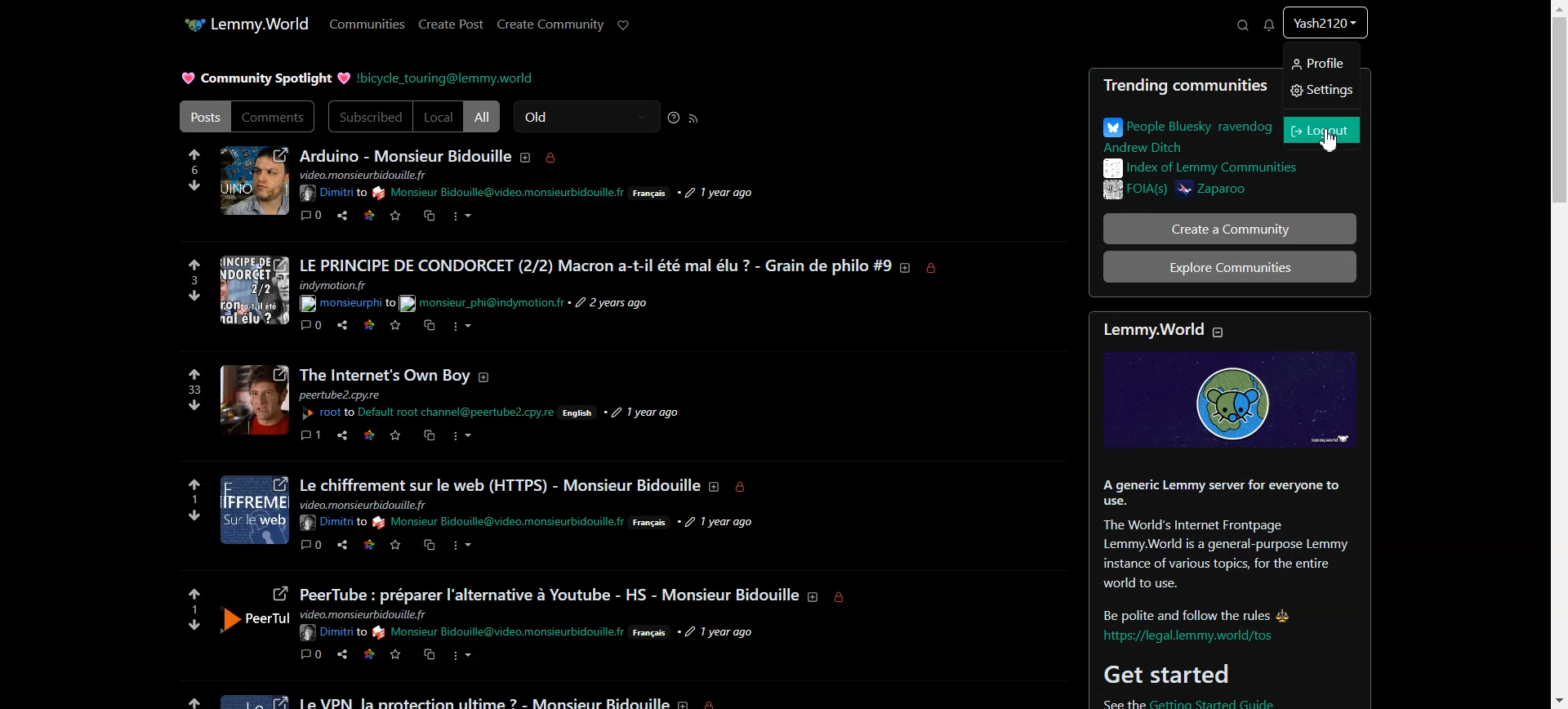 The image size is (1568, 709). What do you see at coordinates (653, 635) in the screenshot?
I see `Francais` at bounding box center [653, 635].